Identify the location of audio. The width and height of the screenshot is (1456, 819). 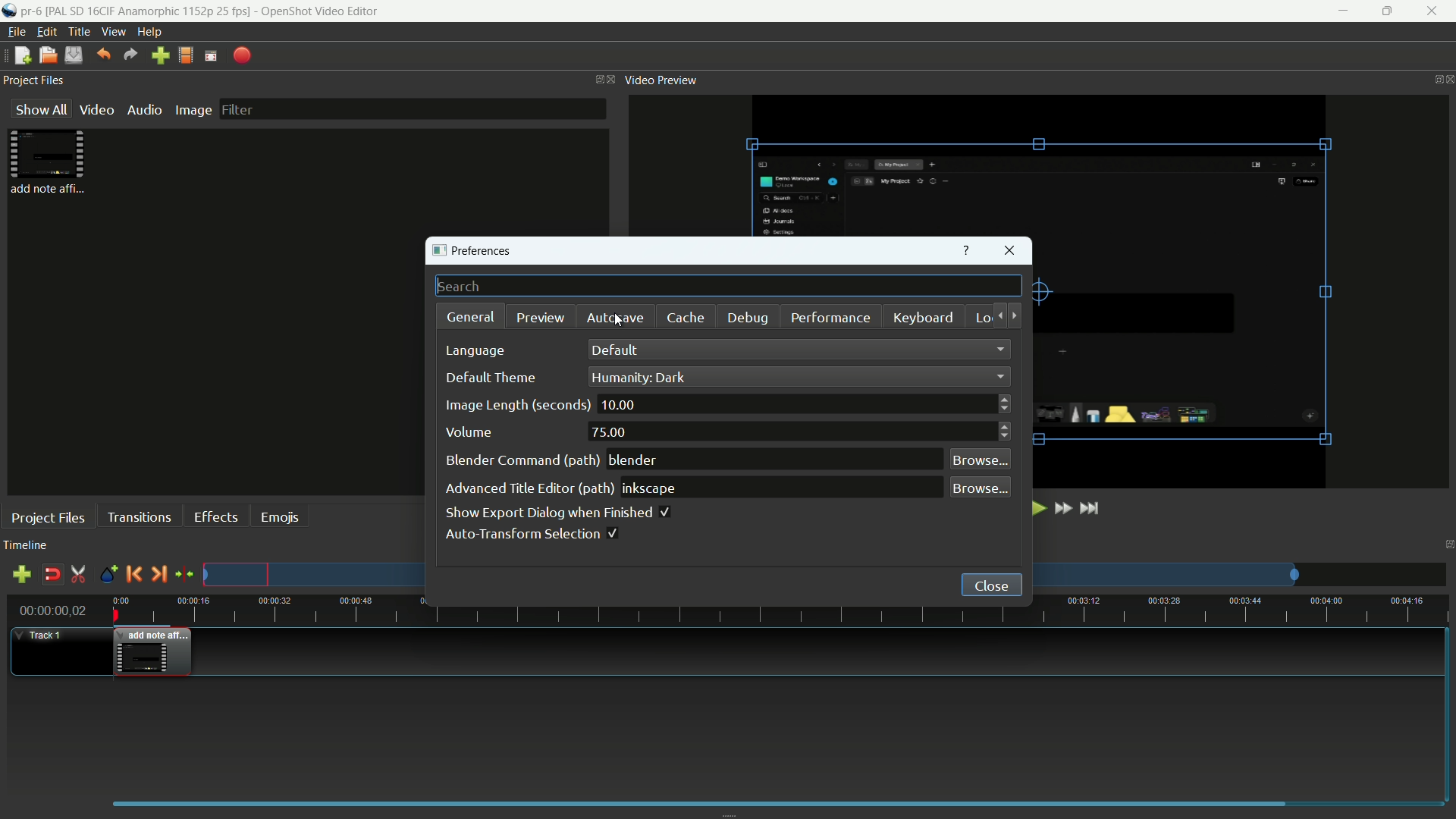
(145, 109).